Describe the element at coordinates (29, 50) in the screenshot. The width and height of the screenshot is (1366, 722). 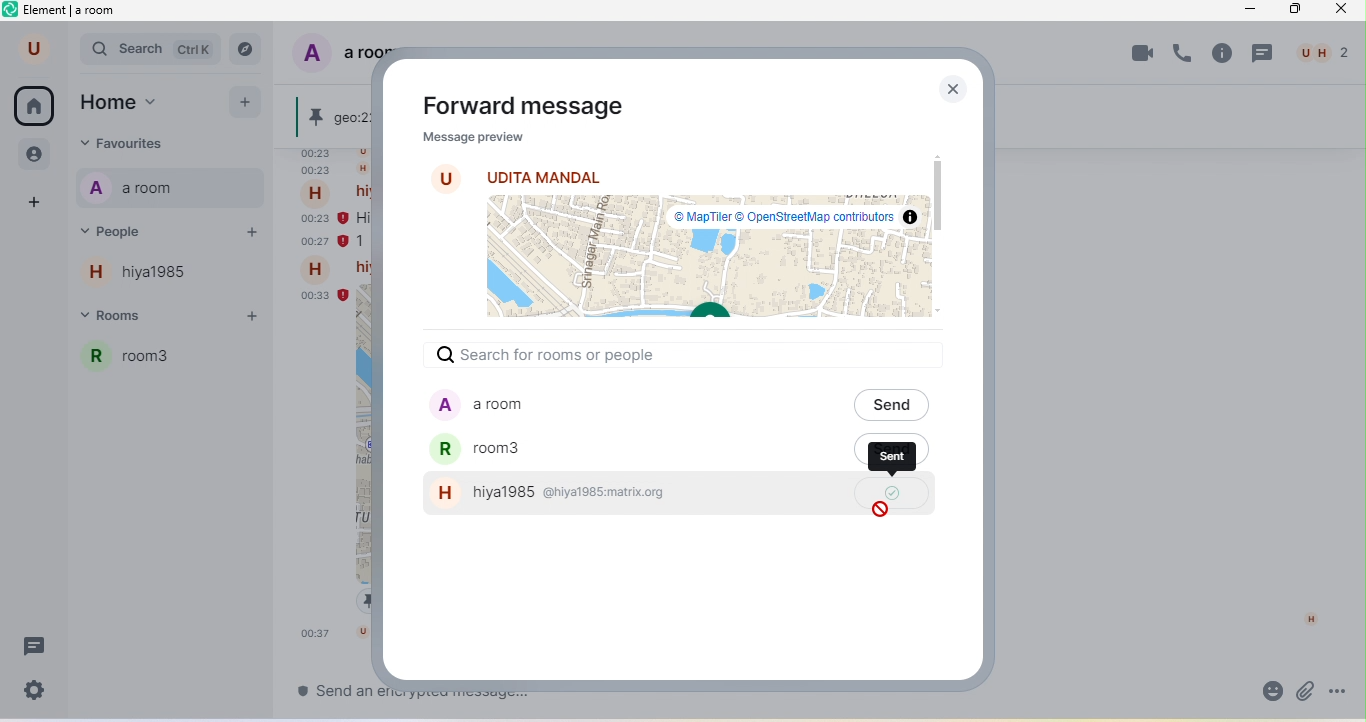
I see `u` at that location.